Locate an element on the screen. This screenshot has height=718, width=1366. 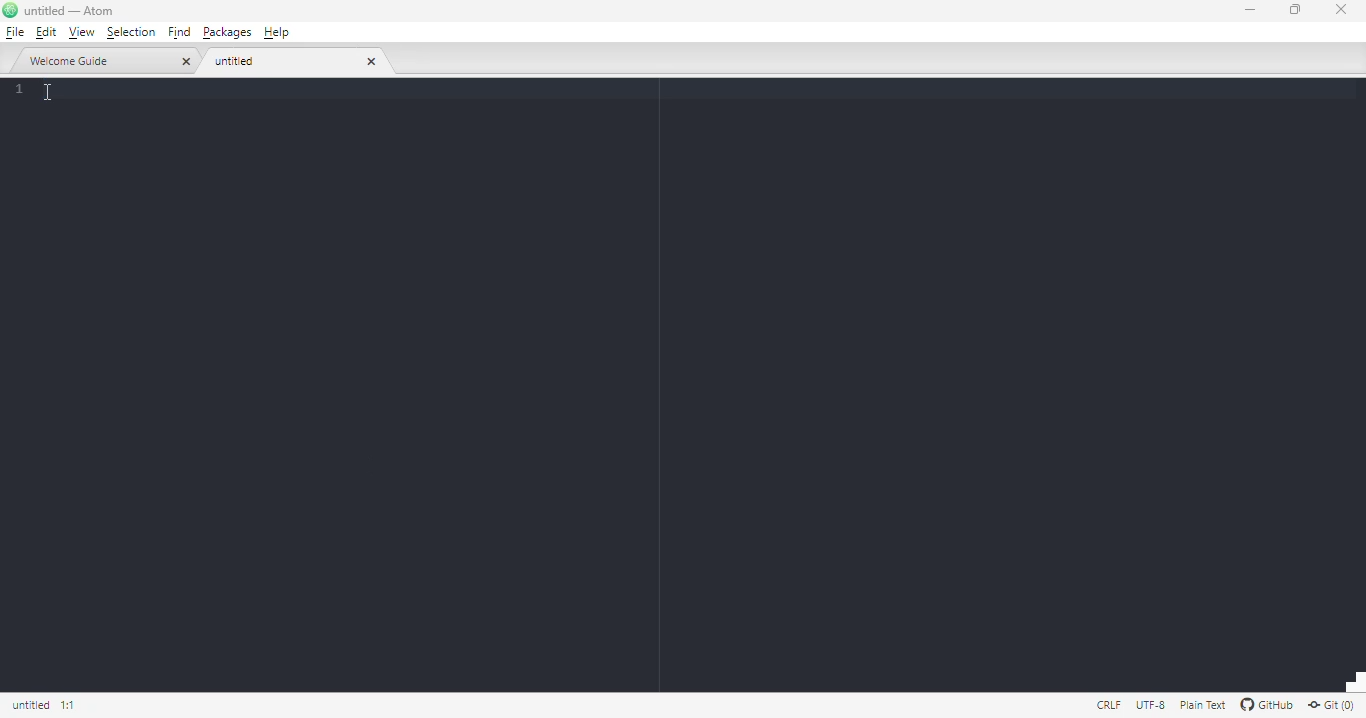
cursor is located at coordinates (46, 92).